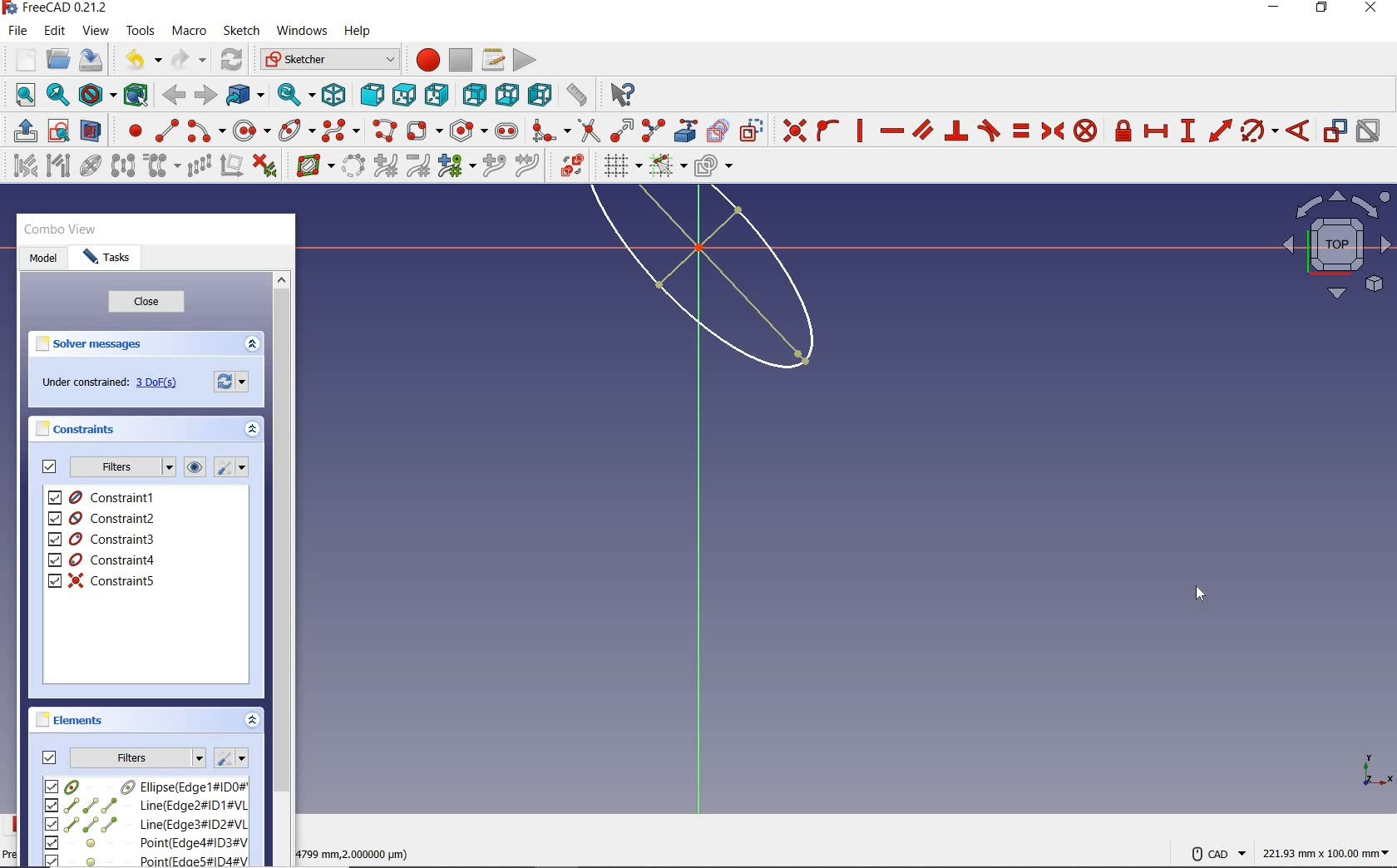 The image size is (1397, 868). I want to click on join curves, so click(528, 166).